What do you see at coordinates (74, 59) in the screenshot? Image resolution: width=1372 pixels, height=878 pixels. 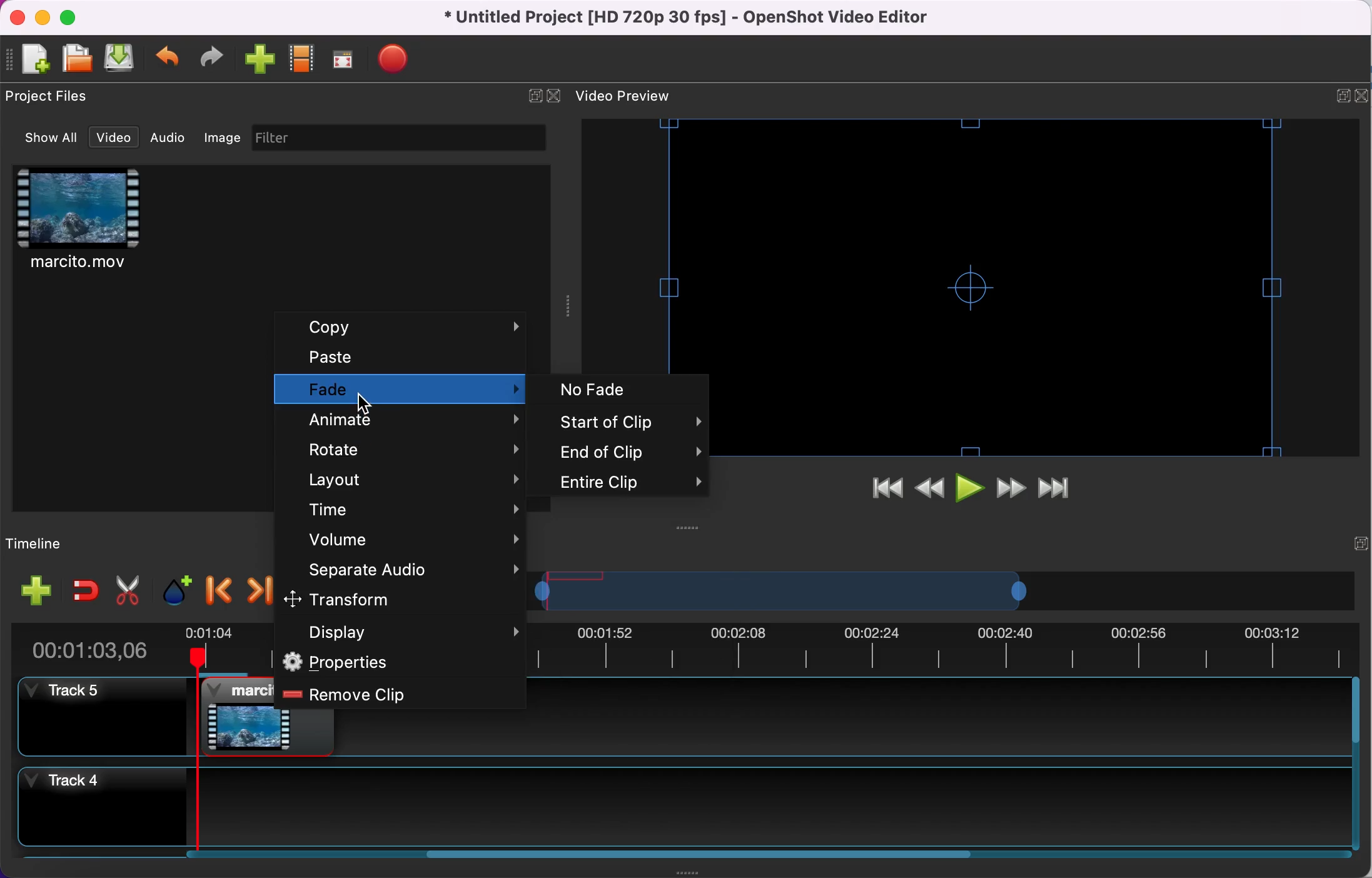 I see `open file` at bounding box center [74, 59].